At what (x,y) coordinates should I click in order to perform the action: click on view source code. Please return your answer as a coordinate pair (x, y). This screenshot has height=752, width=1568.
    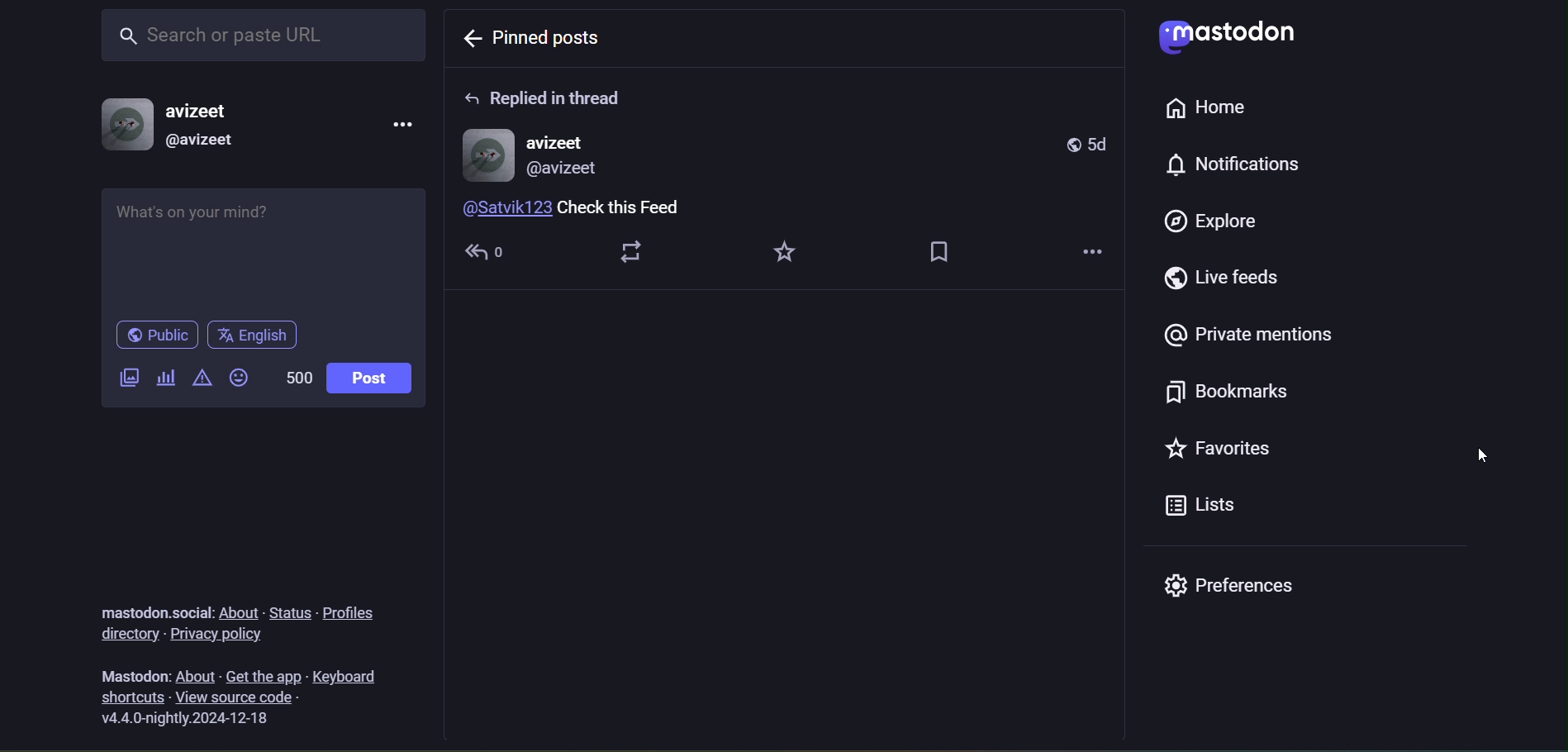
    Looking at the image, I should click on (273, 699).